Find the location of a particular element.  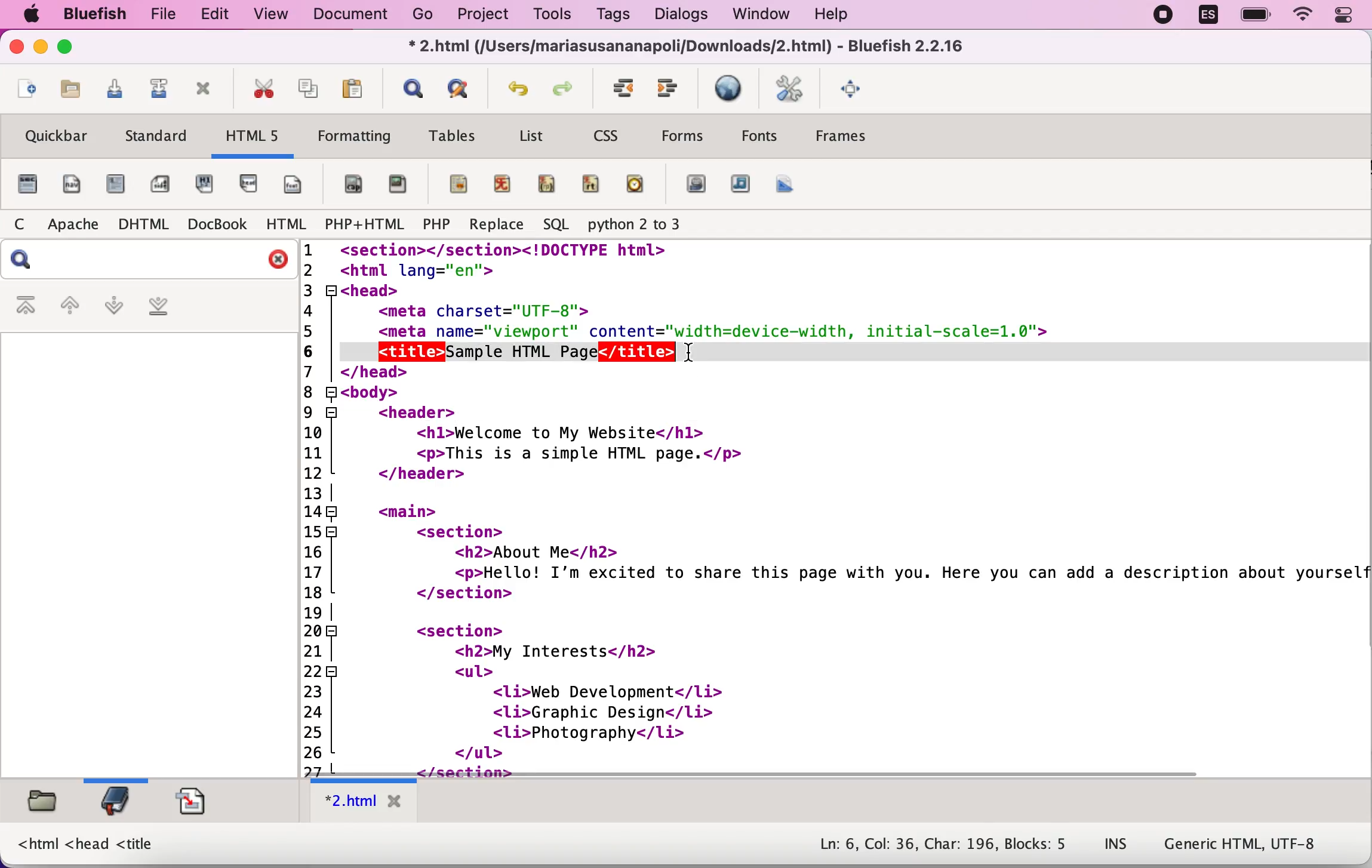

 is located at coordinates (842, 141).